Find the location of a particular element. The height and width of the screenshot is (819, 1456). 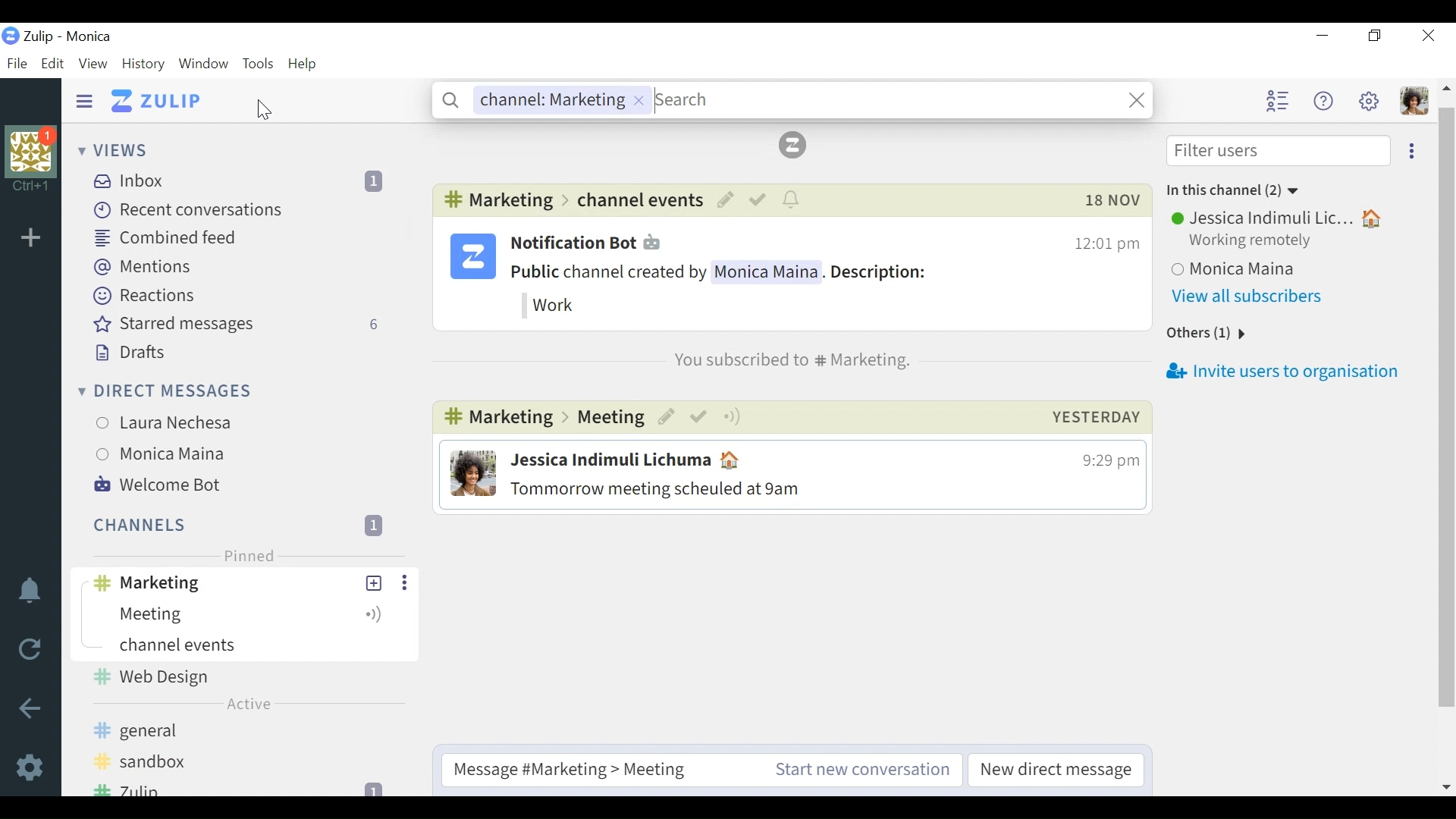

Combined feed is located at coordinates (165, 239).